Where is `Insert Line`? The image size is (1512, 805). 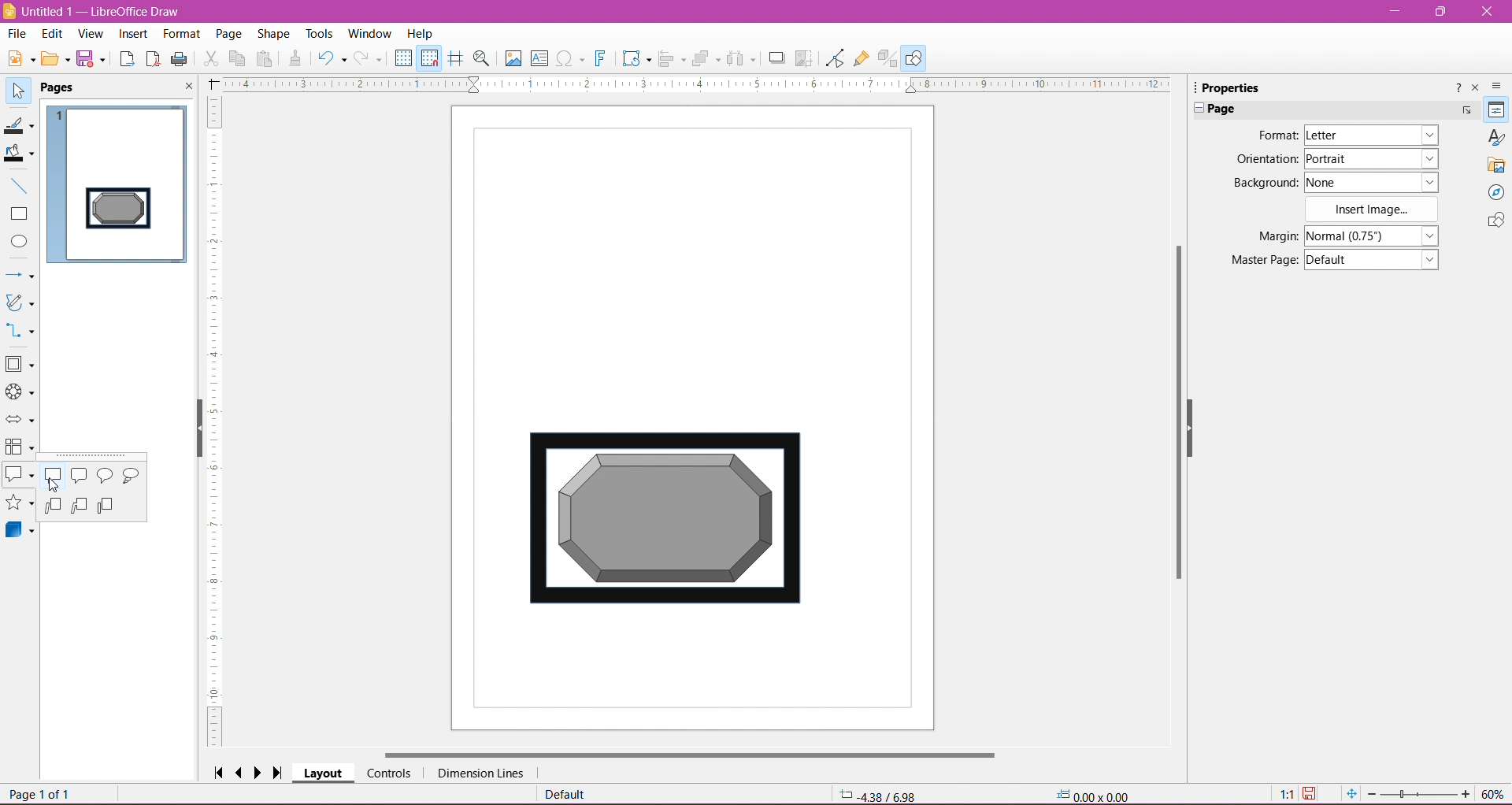 Insert Line is located at coordinates (20, 187).